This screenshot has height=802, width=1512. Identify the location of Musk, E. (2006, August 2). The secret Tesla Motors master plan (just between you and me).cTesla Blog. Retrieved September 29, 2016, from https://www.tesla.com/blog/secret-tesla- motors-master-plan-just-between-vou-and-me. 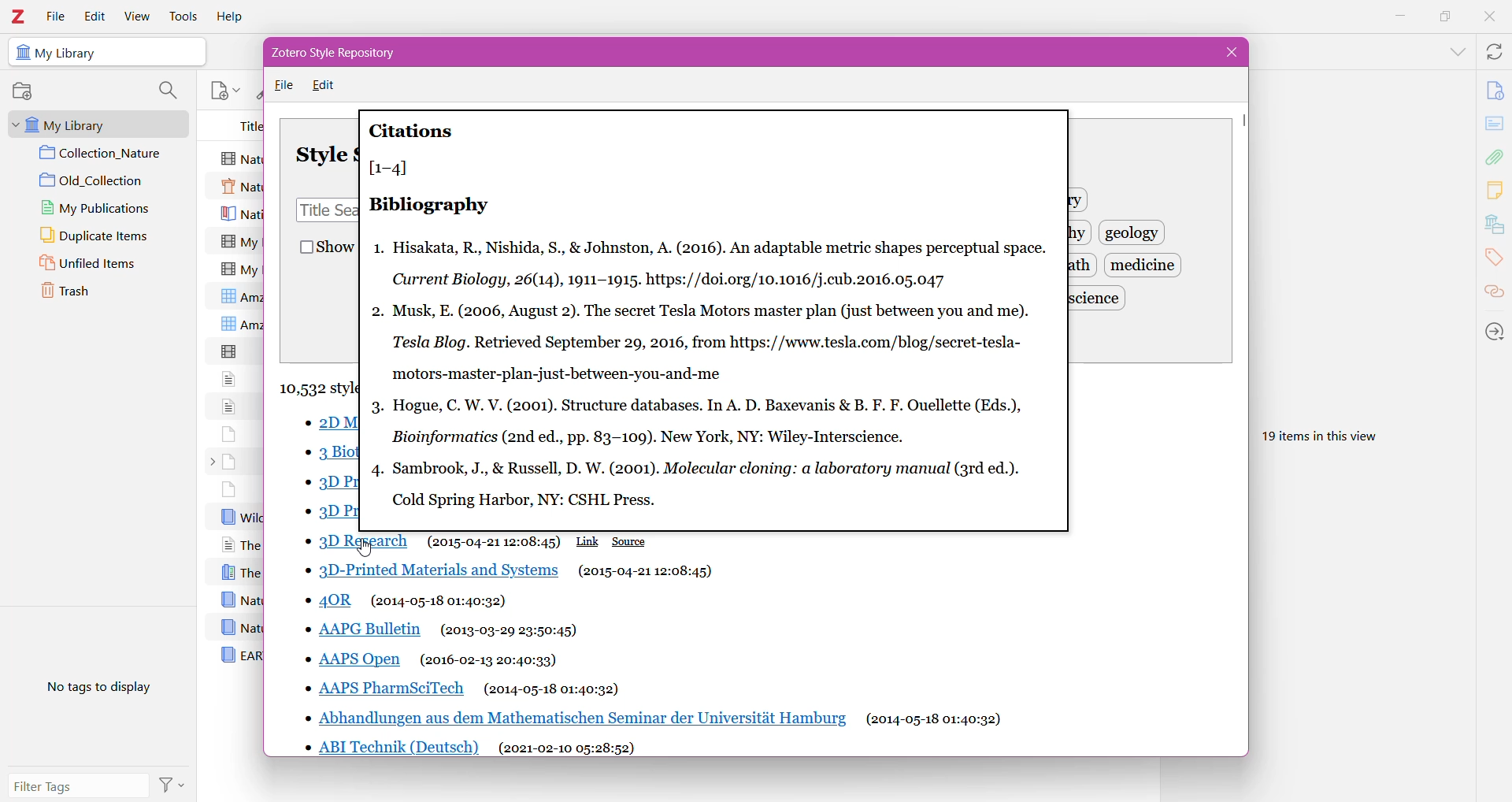
(712, 341).